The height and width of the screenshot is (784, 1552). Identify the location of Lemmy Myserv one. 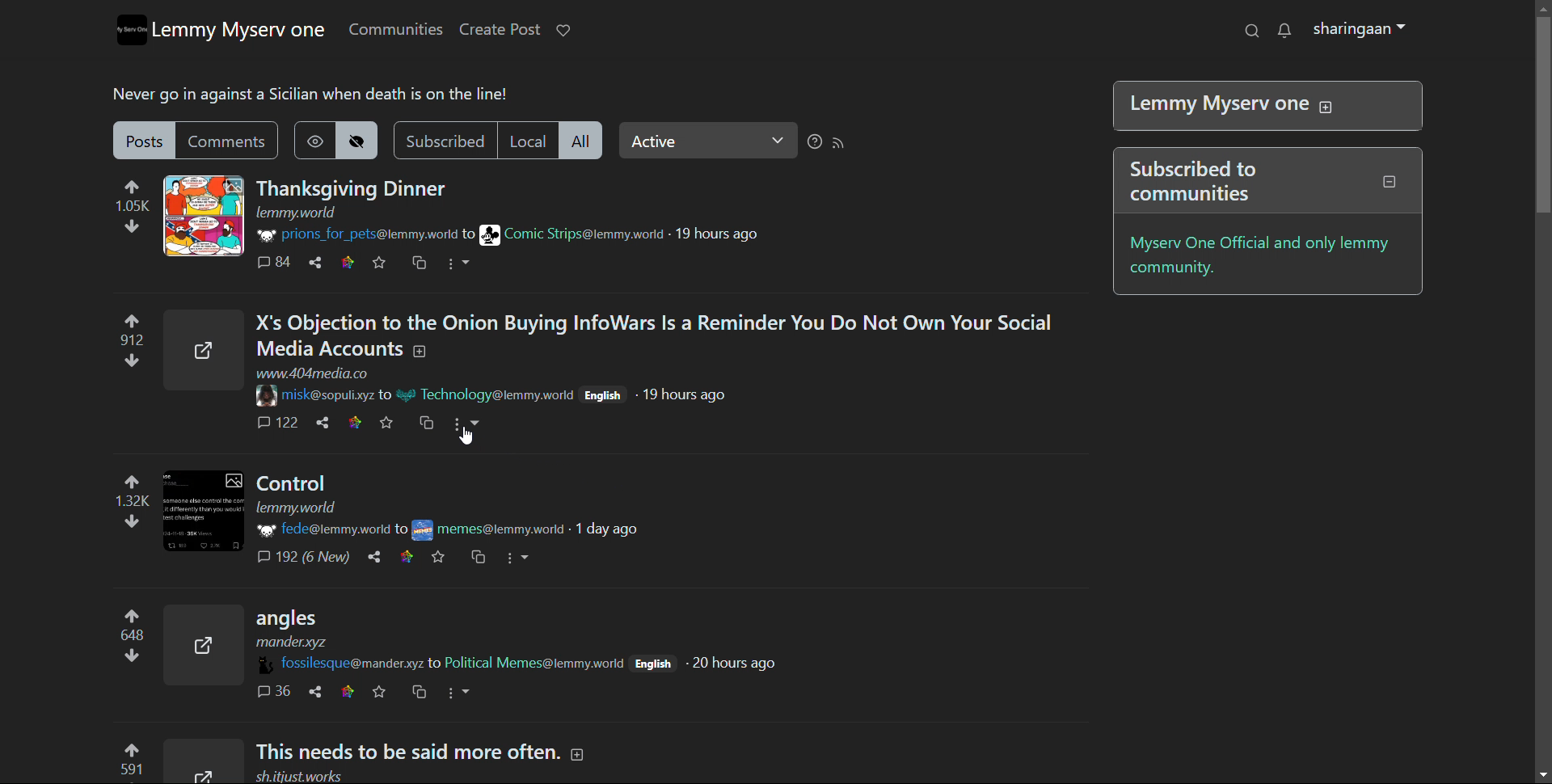
(1261, 107).